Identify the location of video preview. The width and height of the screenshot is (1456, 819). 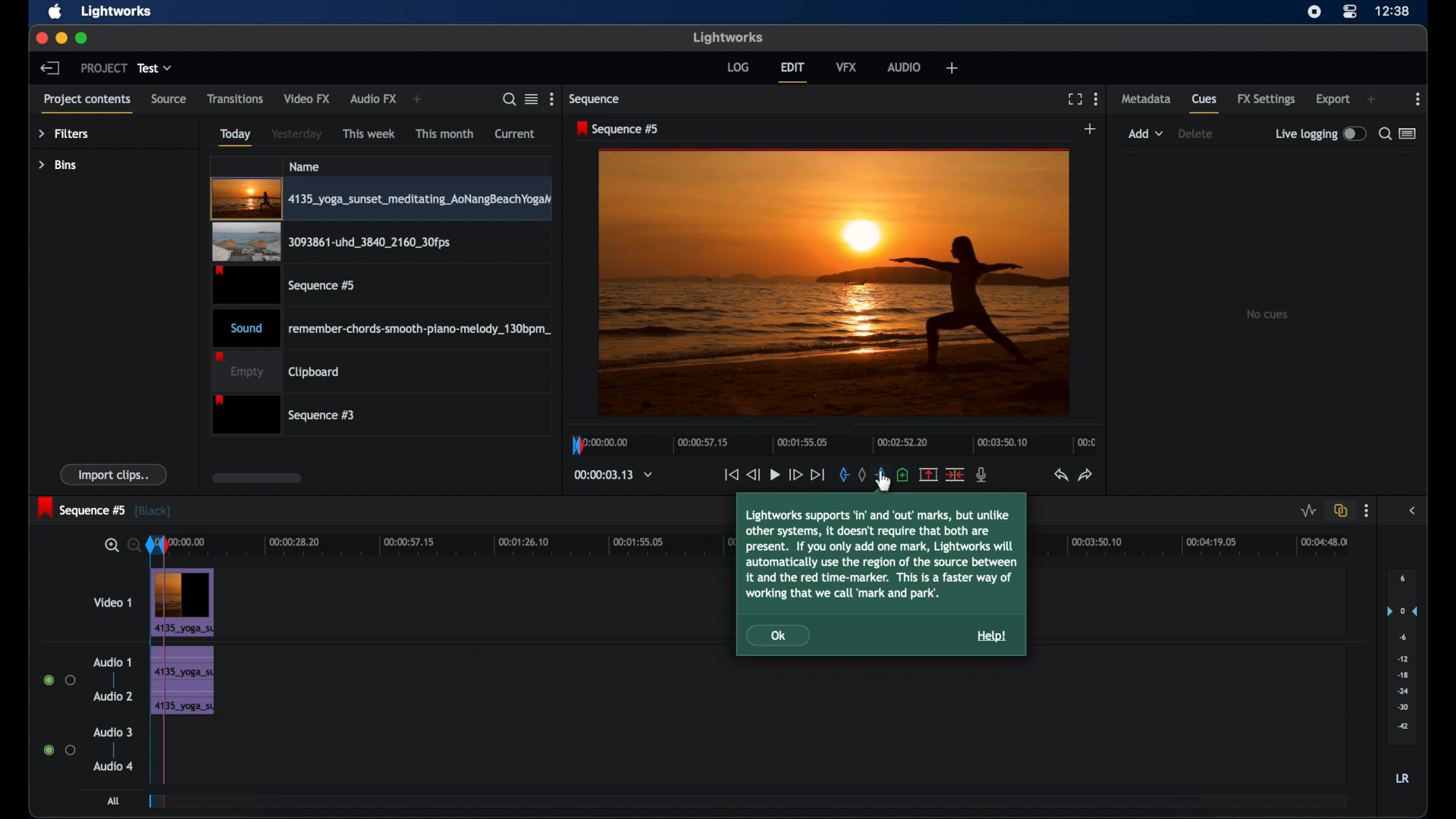
(833, 282).